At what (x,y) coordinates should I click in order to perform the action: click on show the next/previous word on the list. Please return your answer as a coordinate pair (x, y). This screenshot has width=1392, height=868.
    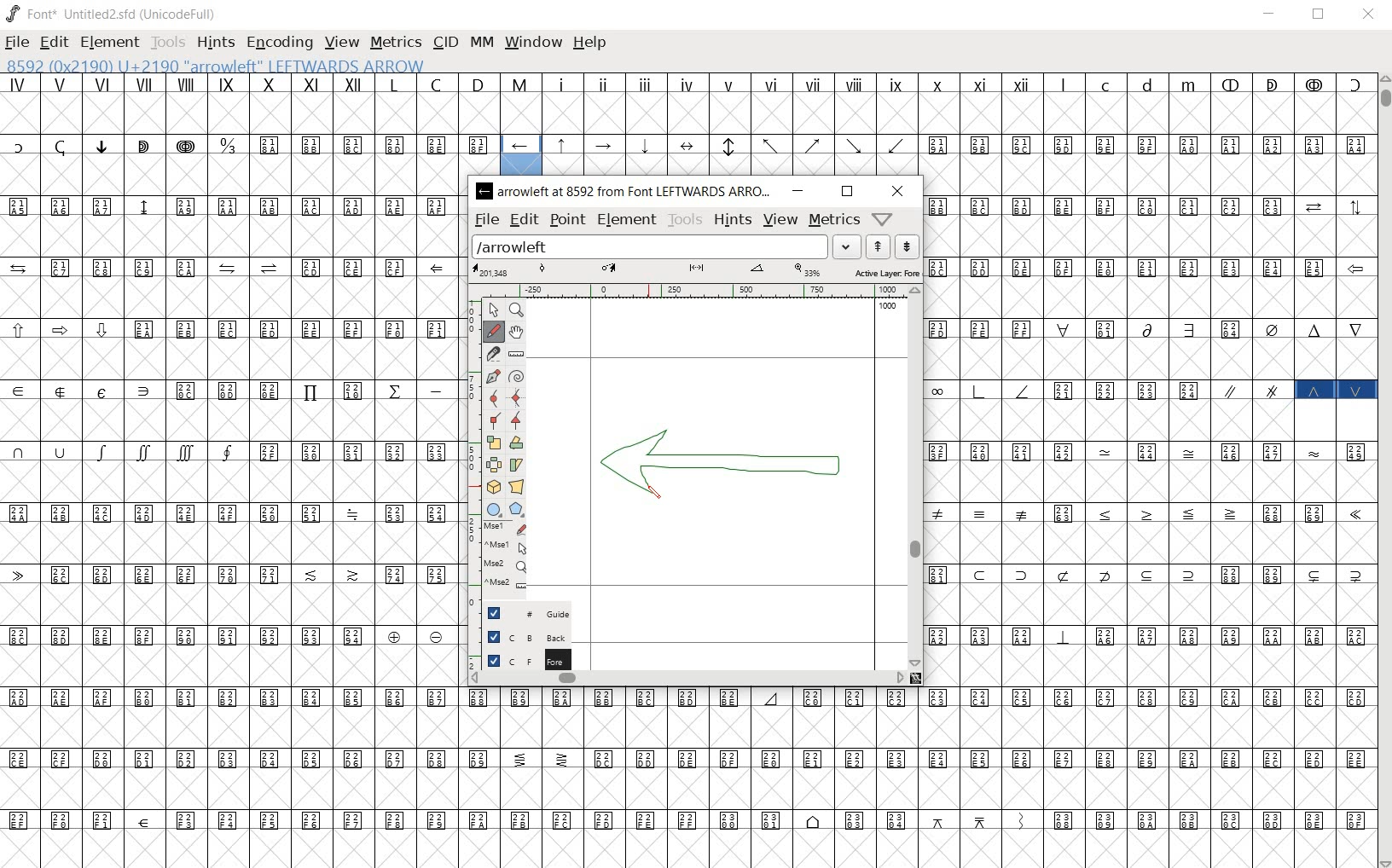
    Looking at the image, I should click on (891, 246).